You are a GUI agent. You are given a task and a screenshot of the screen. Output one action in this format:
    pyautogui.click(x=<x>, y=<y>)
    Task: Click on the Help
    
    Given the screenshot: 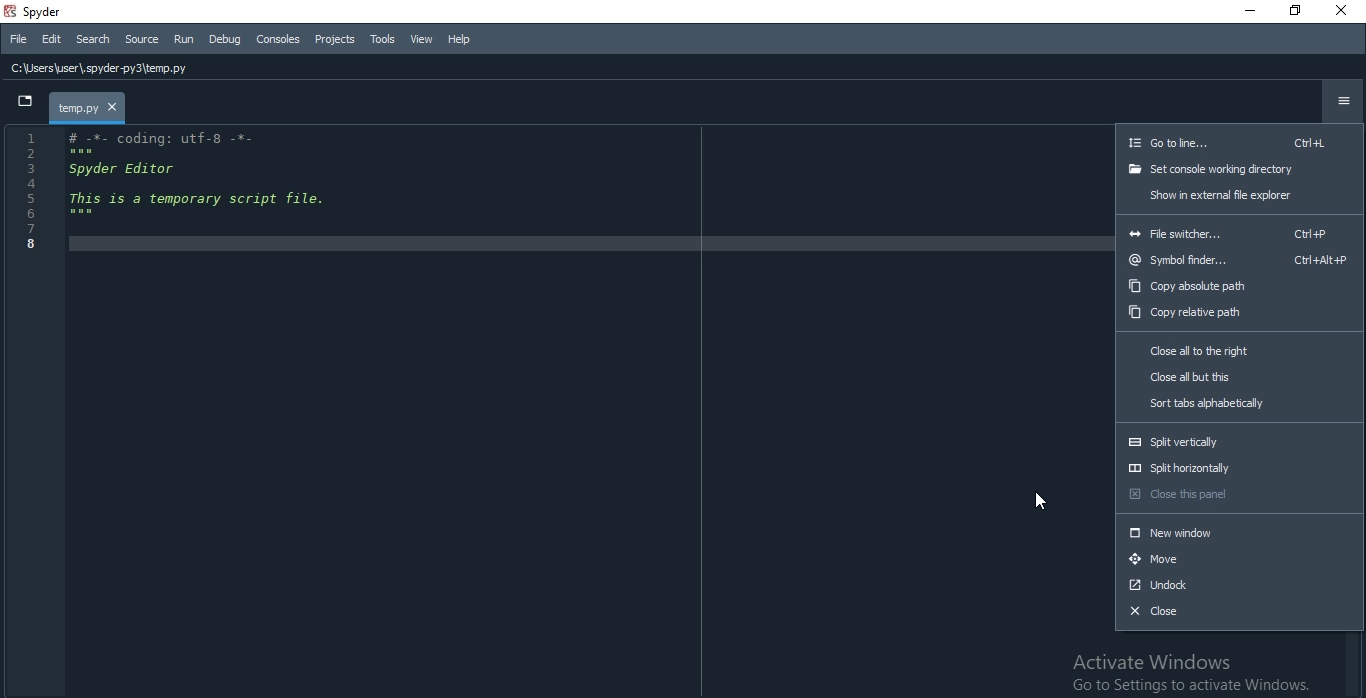 What is the action you would take?
    pyautogui.click(x=460, y=40)
    